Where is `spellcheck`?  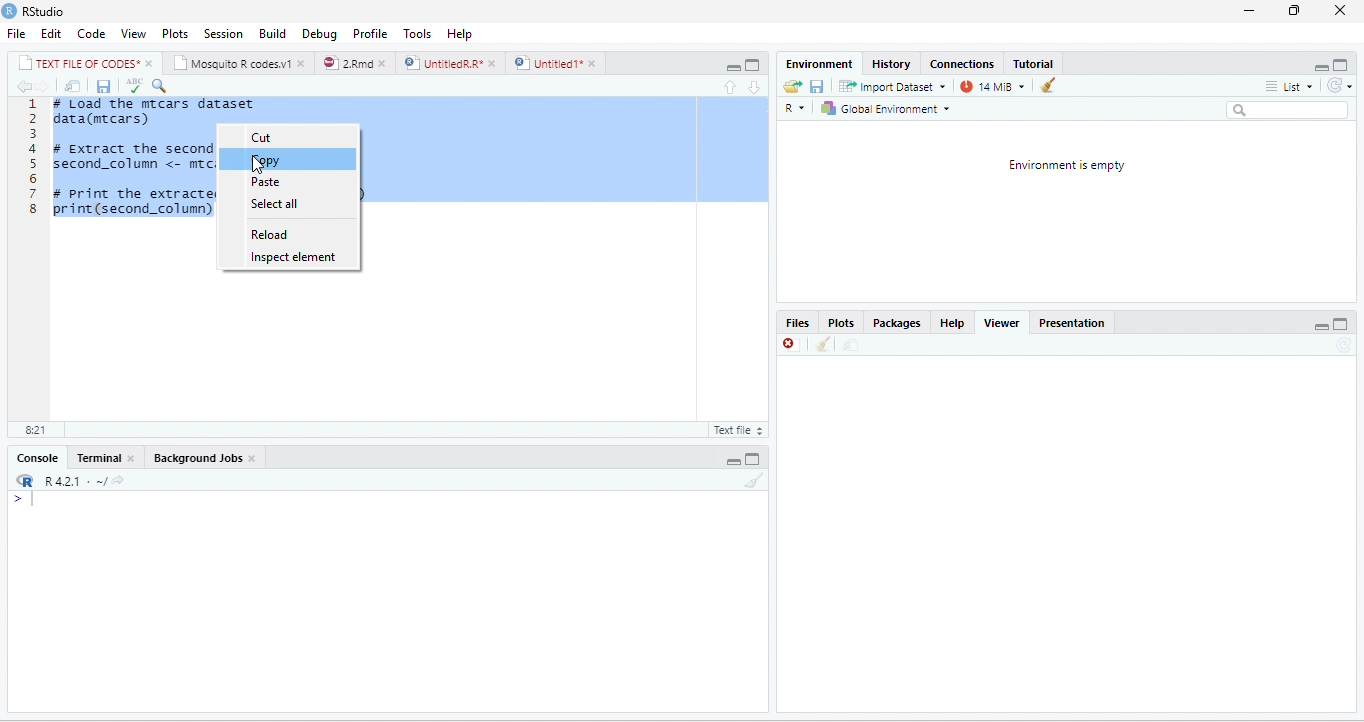
spellcheck is located at coordinates (133, 86).